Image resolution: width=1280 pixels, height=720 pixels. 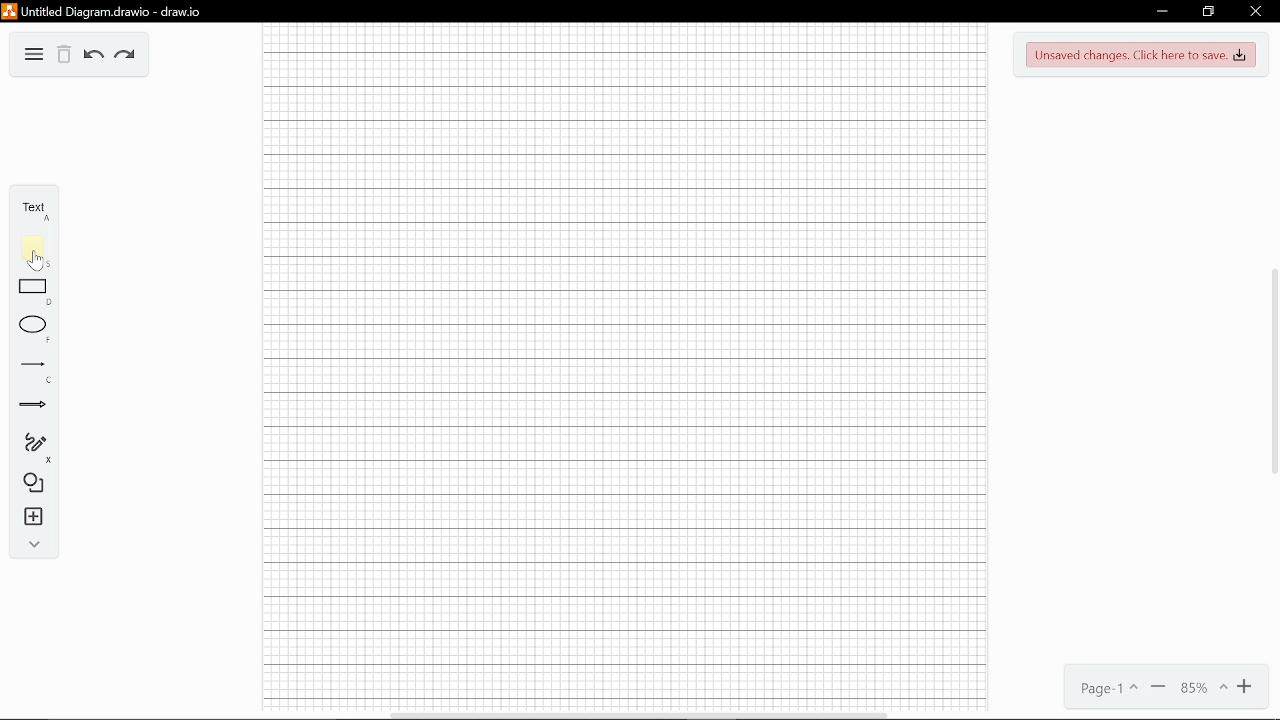 What do you see at coordinates (34, 365) in the screenshot?
I see `Line` at bounding box center [34, 365].